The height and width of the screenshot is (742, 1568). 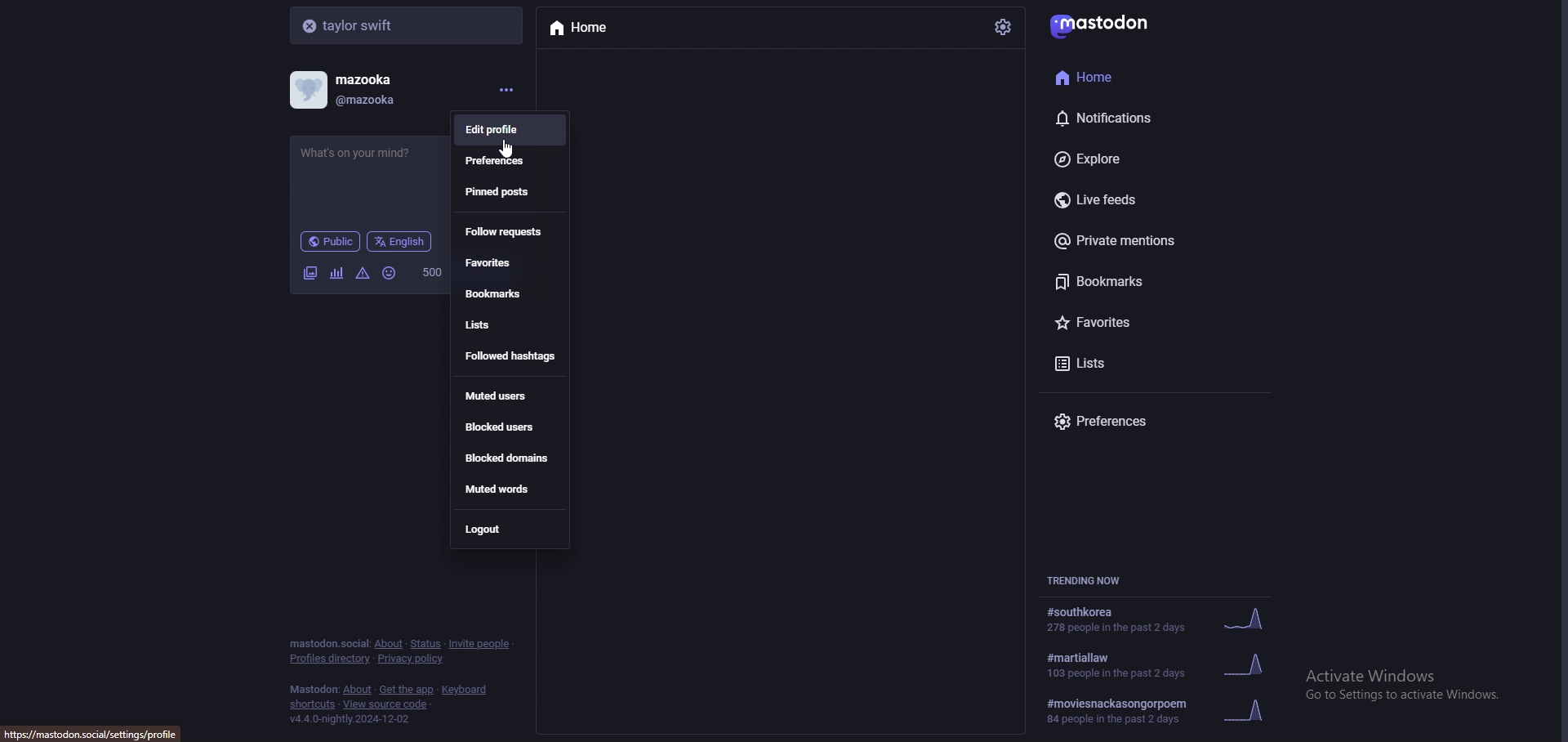 I want to click on lists, so click(x=507, y=326).